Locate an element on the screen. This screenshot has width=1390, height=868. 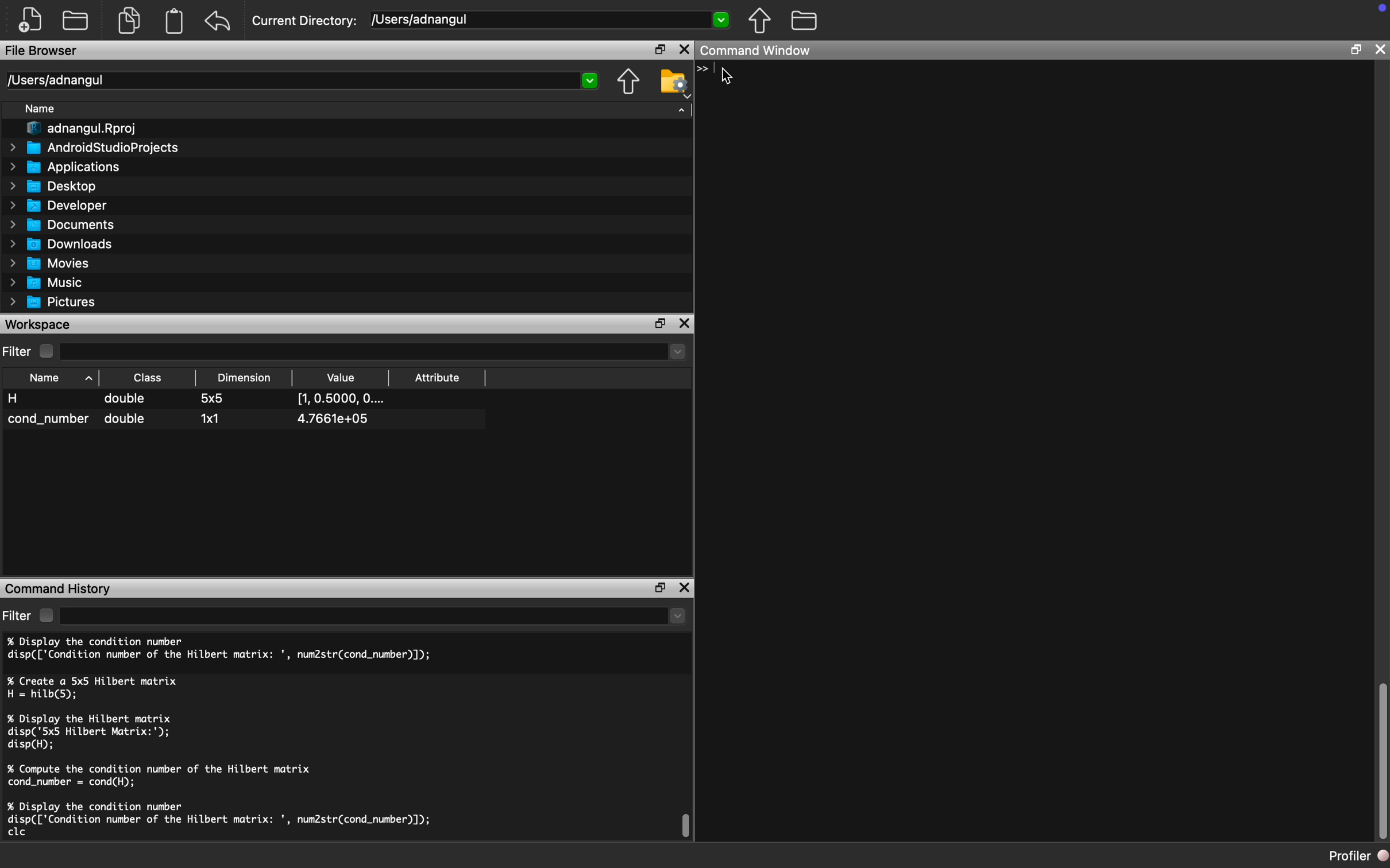
Restore Down is located at coordinates (659, 49).